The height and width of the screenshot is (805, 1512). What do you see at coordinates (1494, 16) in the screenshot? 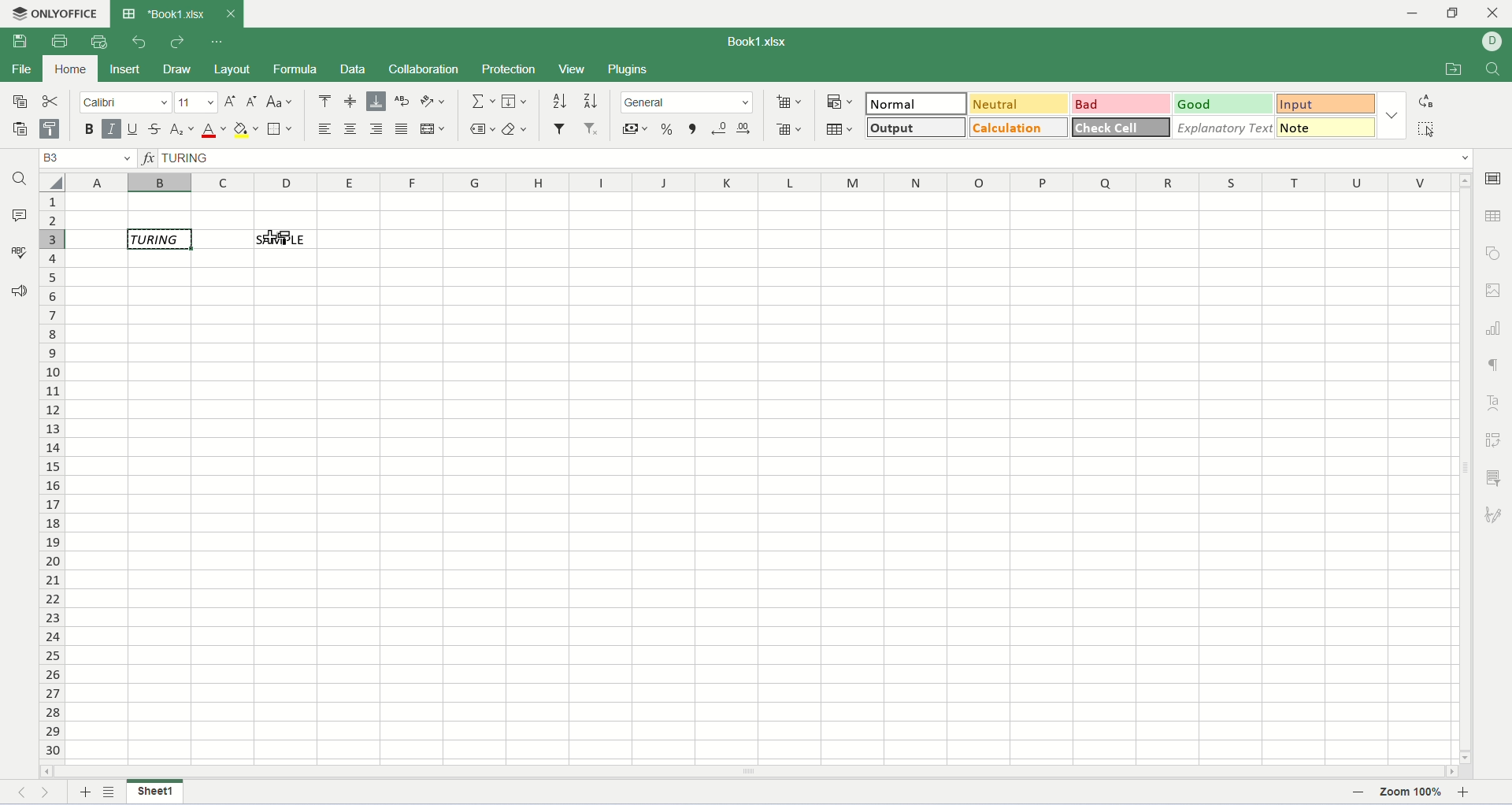
I see `close` at bounding box center [1494, 16].